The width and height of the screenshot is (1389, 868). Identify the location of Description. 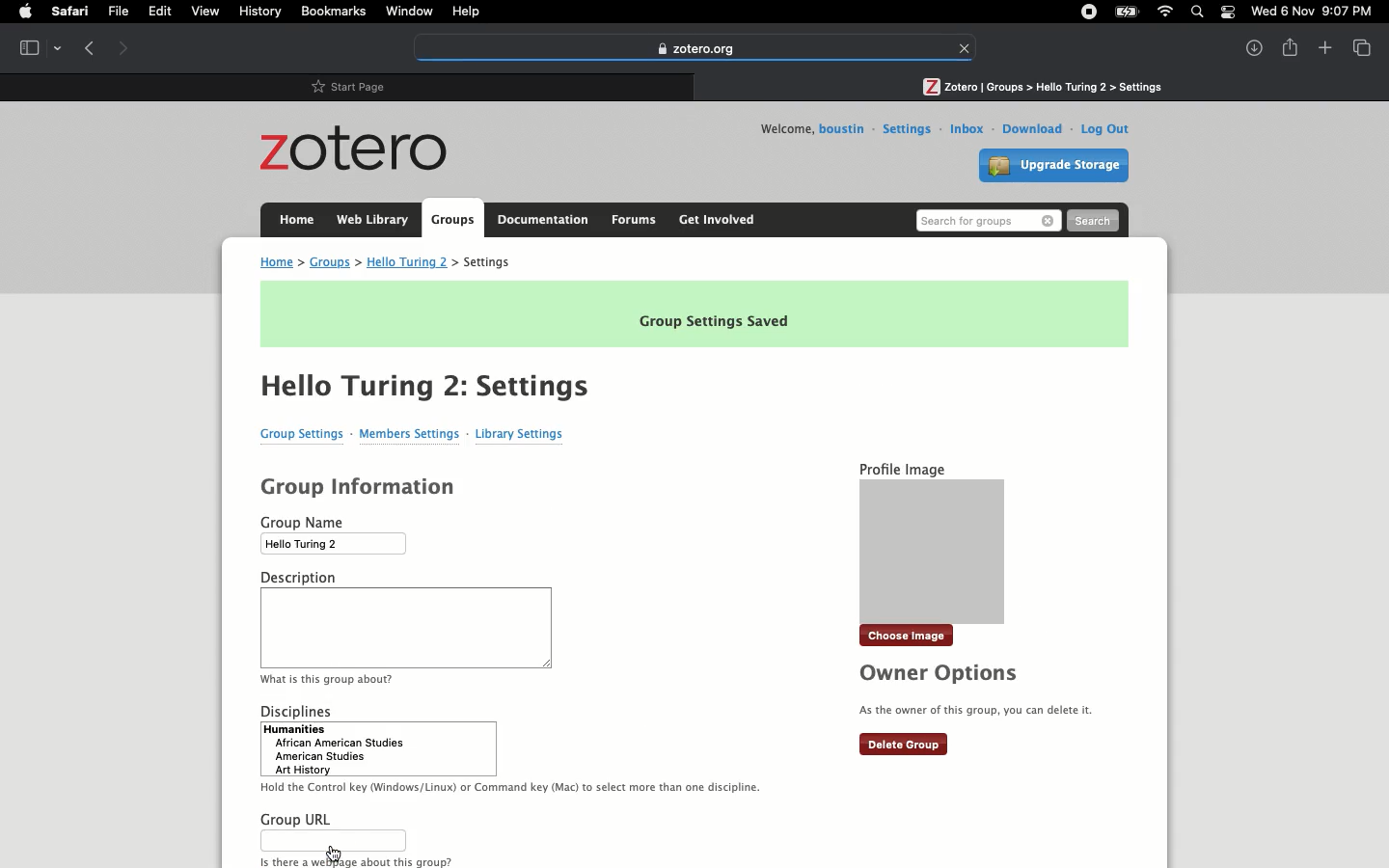
(408, 627).